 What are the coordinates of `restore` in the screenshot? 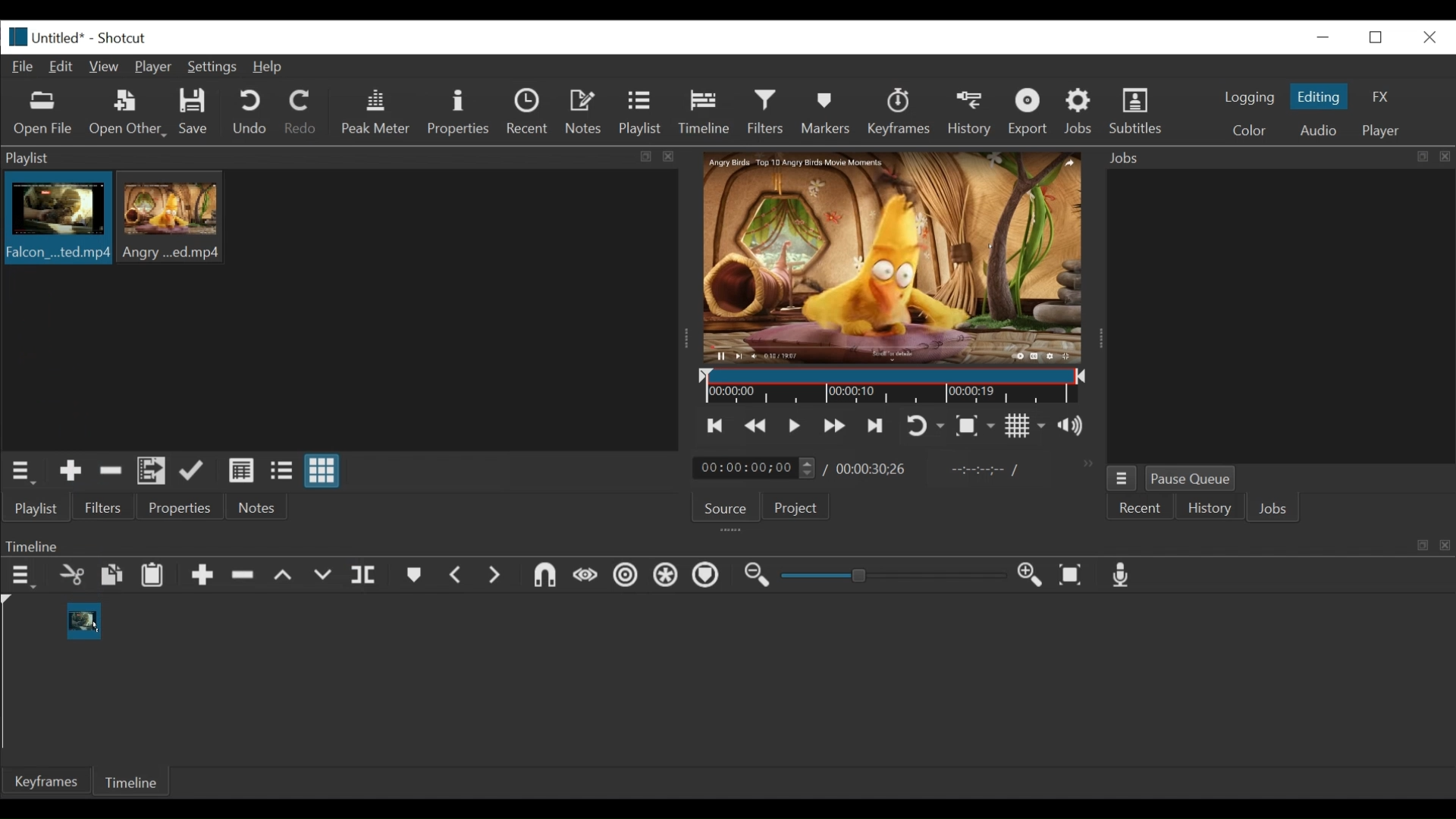 It's located at (1380, 36).